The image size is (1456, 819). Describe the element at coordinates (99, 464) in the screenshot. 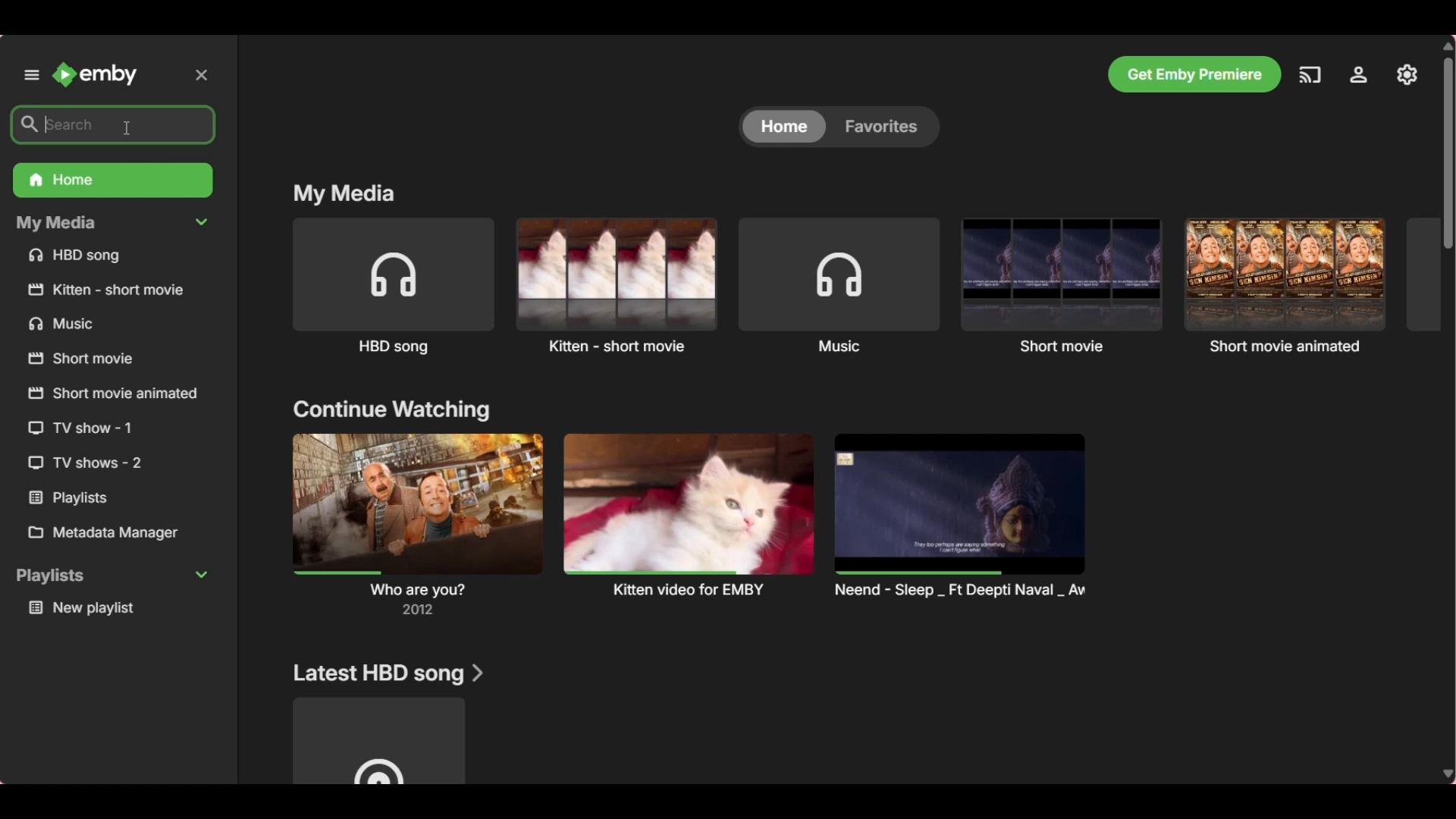

I see `` at that location.